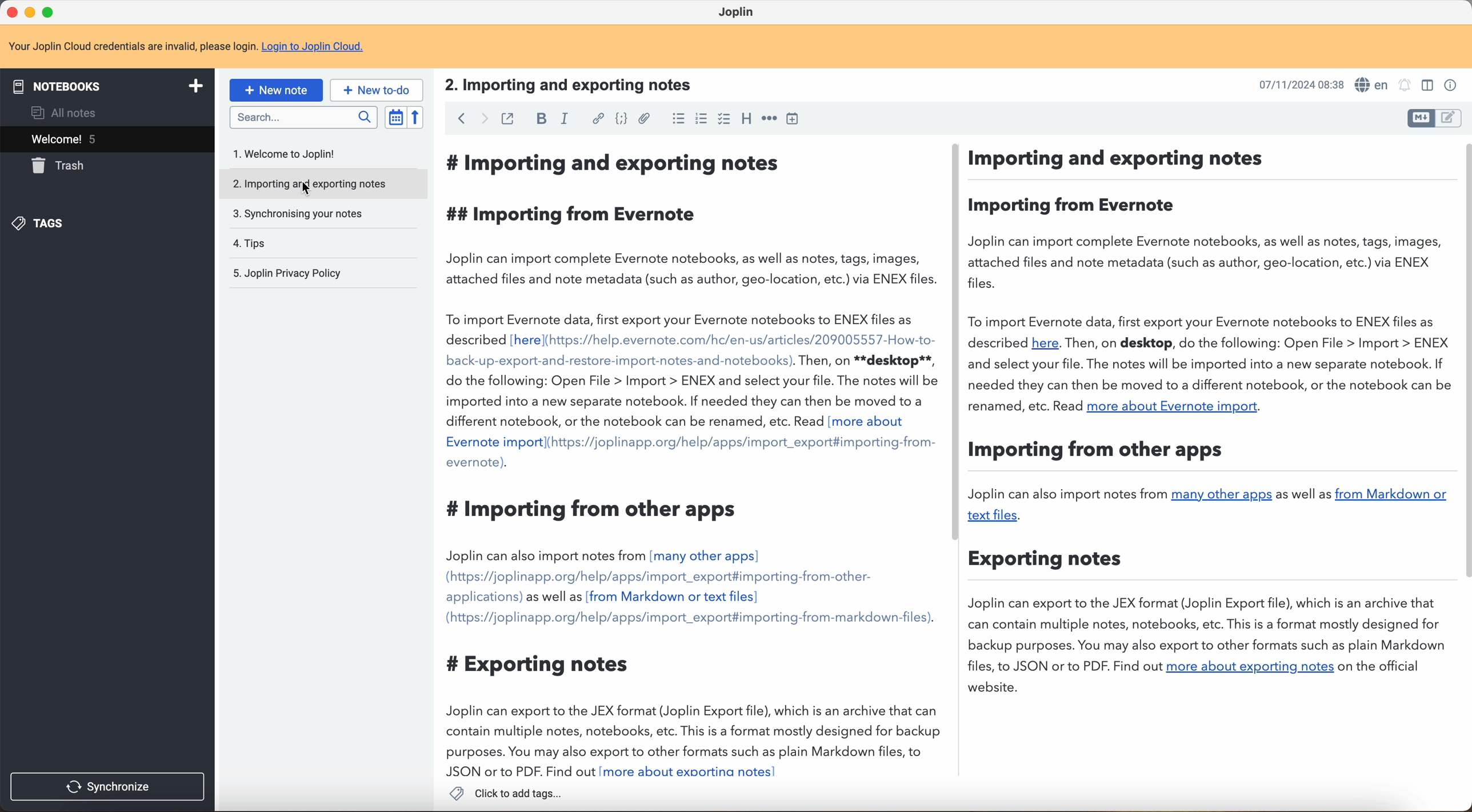 The image size is (1472, 812). Describe the element at coordinates (958, 226) in the screenshot. I see `scroll bar` at that location.